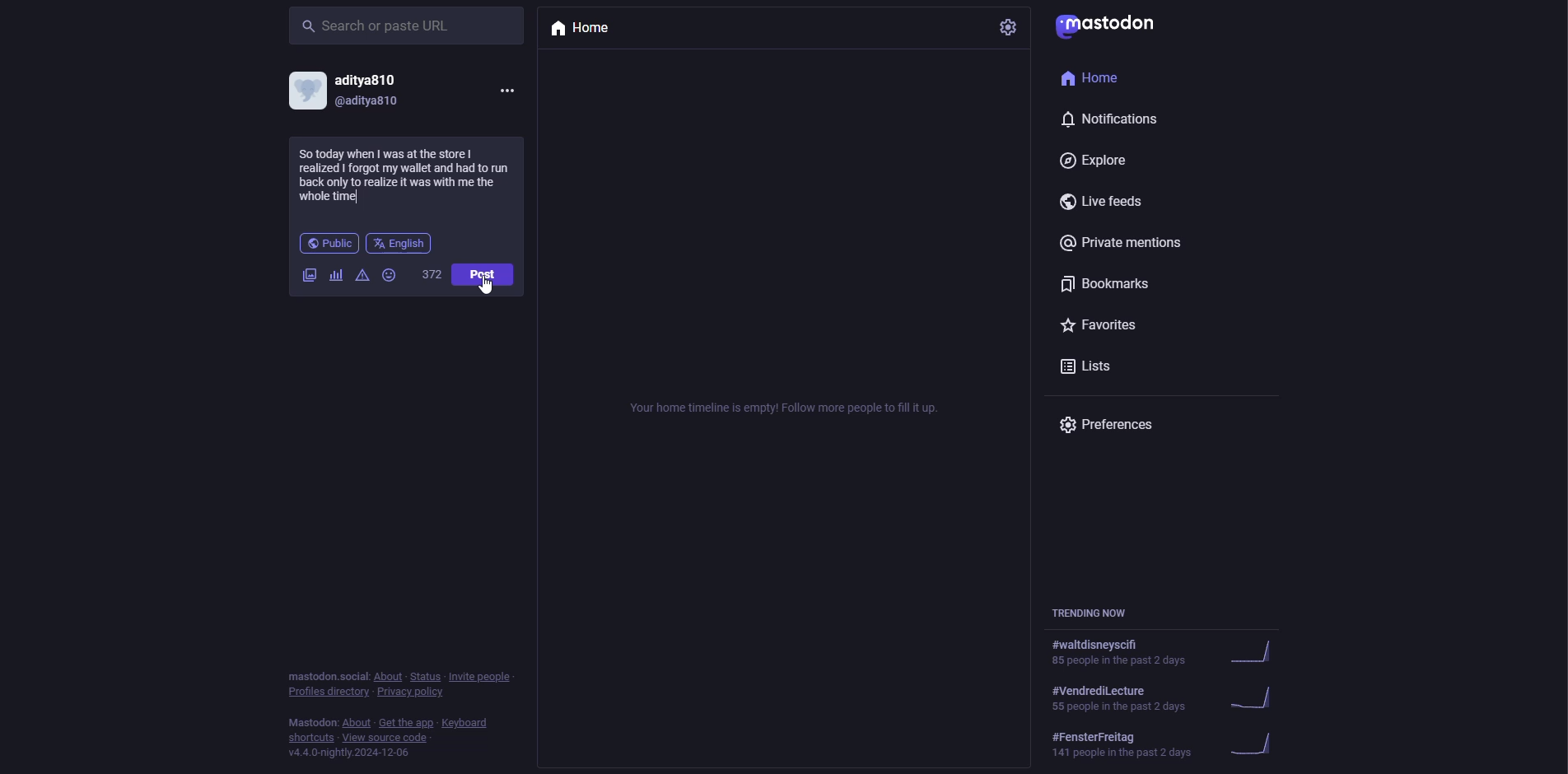 The height and width of the screenshot is (774, 1568). I want to click on trending now, so click(1172, 652).